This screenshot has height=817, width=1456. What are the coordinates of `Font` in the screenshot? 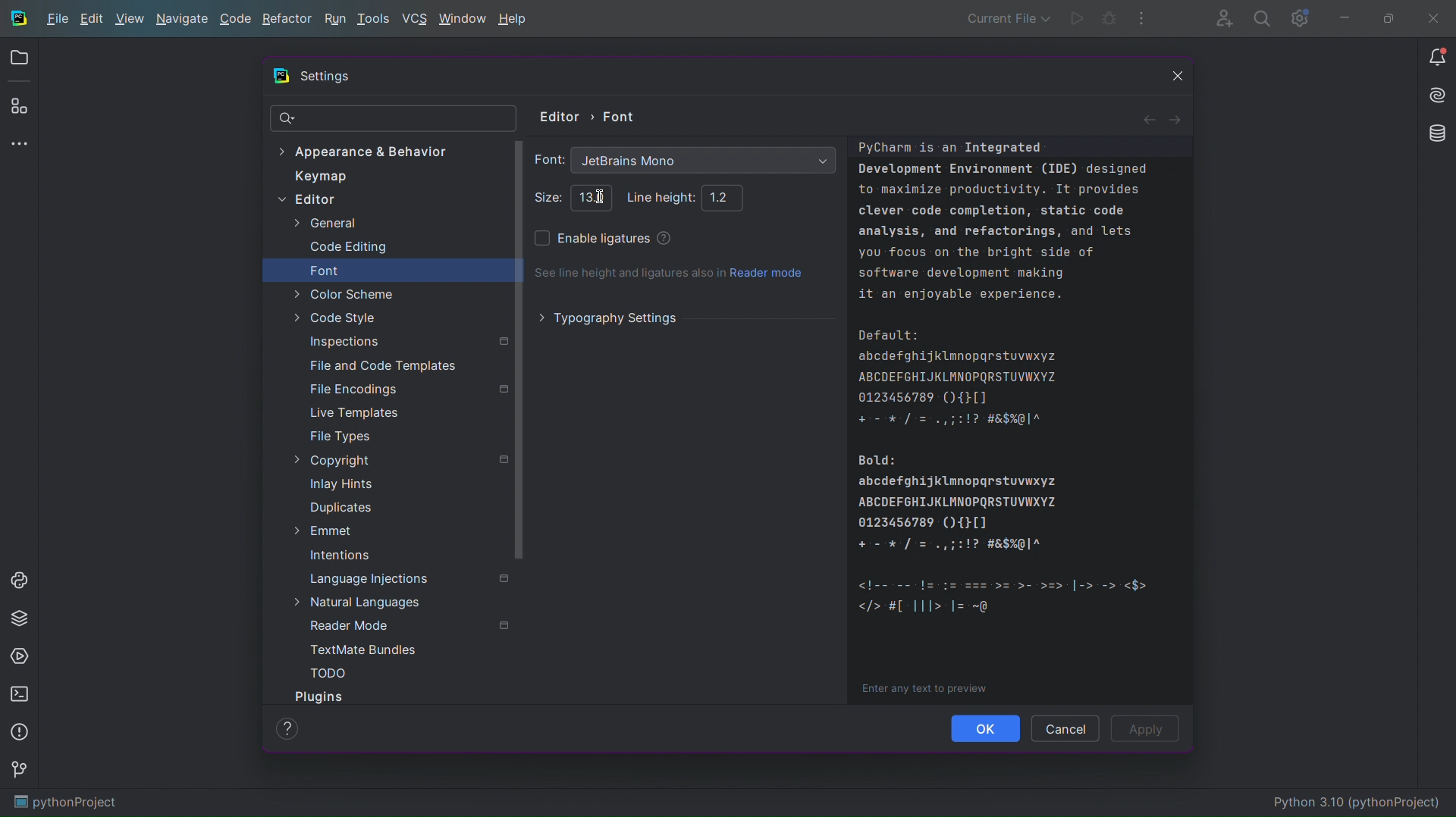 It's located at (325, 271).